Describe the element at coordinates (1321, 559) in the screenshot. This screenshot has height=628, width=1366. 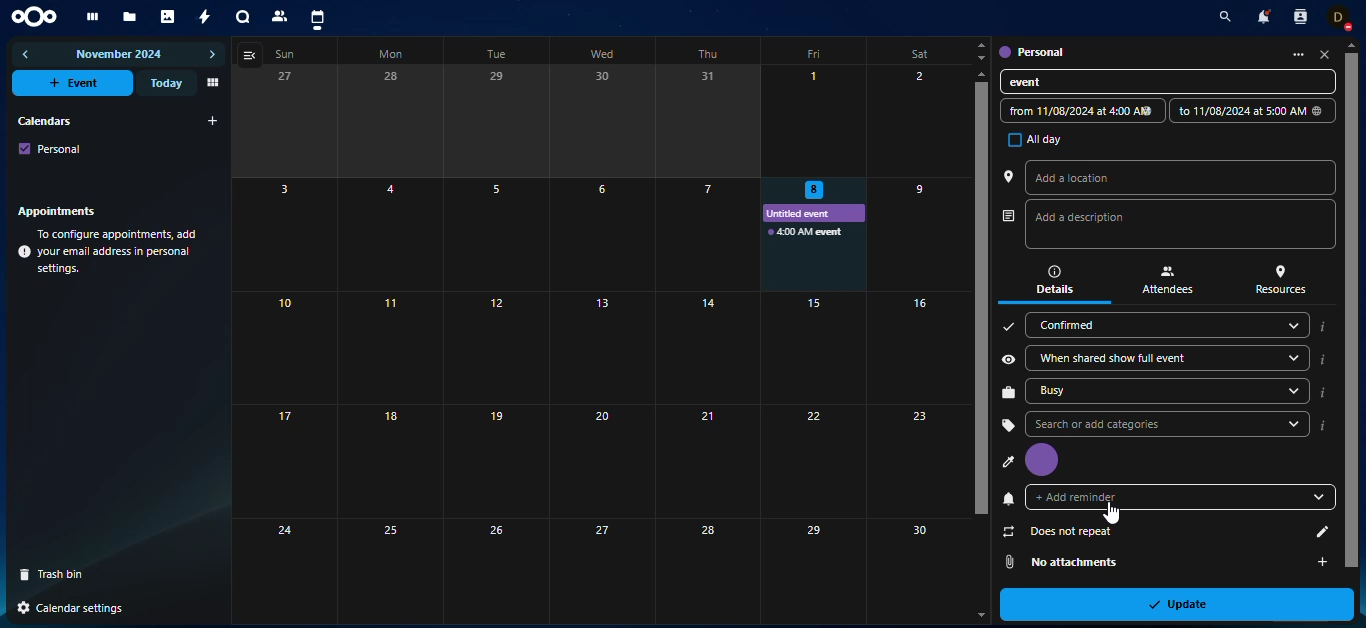
I see `add` at that location.